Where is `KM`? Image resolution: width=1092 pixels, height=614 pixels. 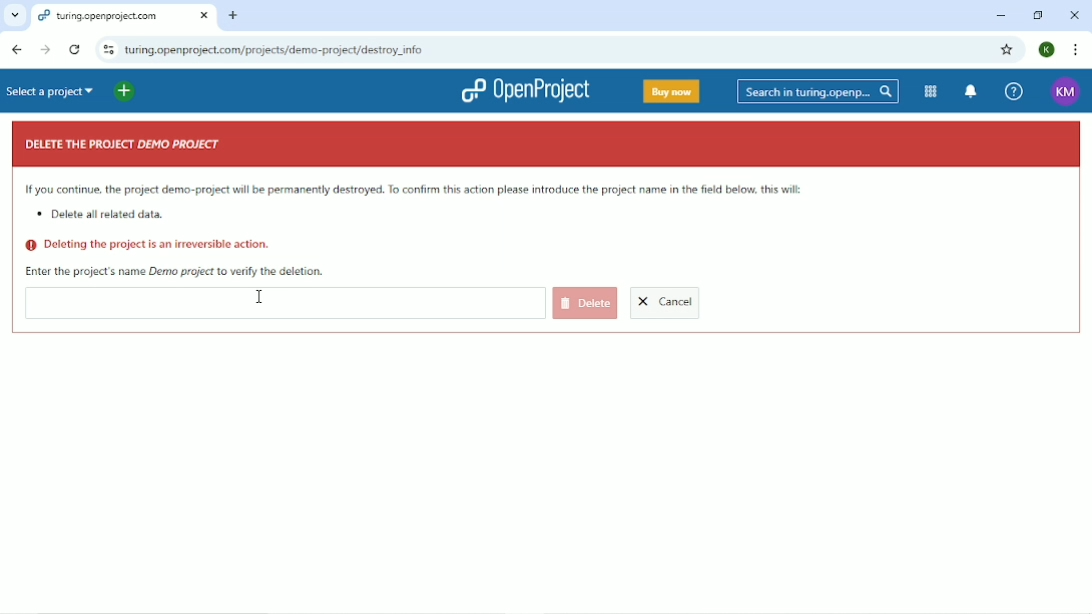 KM is located at coordinates (1065, 93).